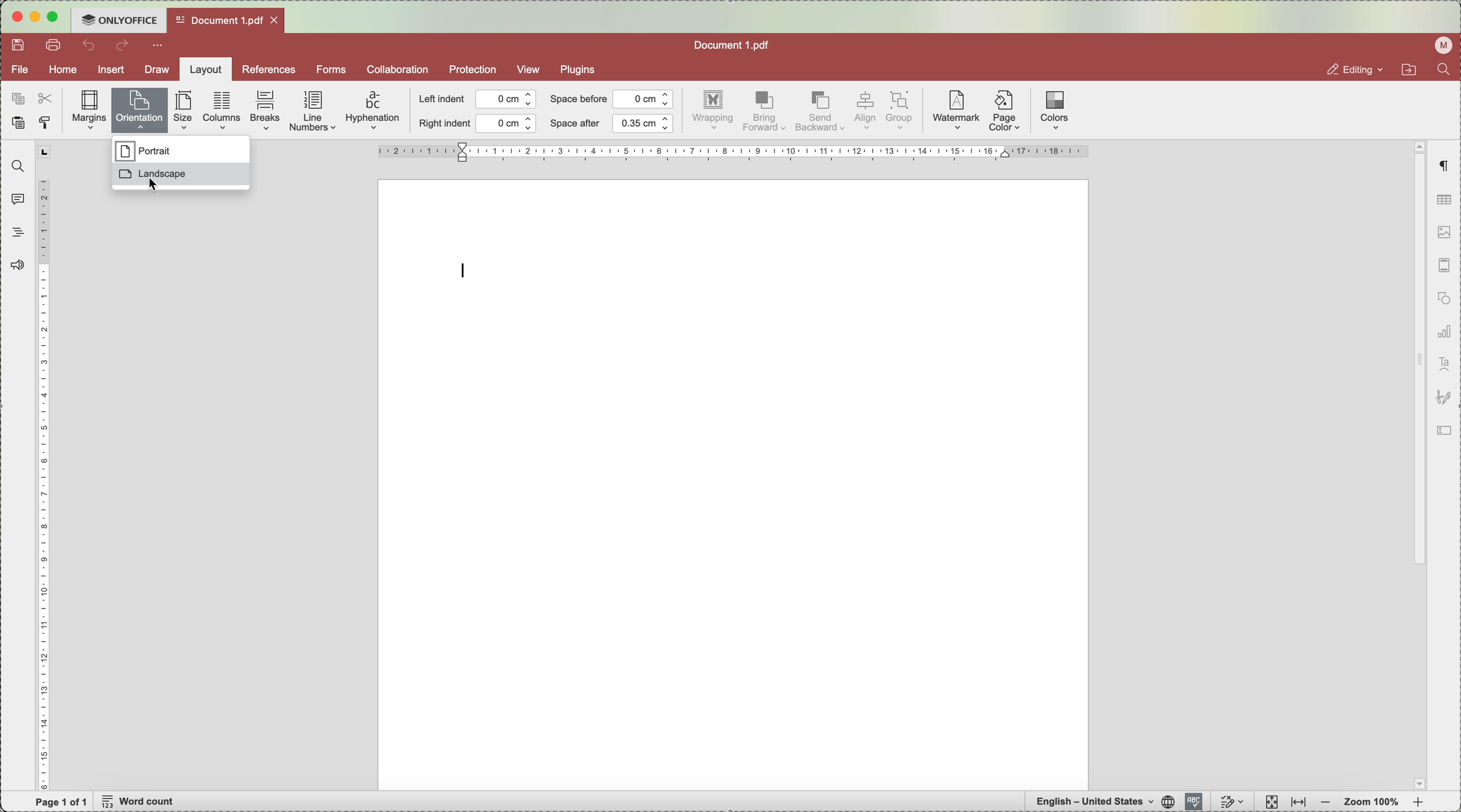  What do you see at coordinates (1440, 46) in the screenshot?
I see `user` at bounding box center [1440, 46].